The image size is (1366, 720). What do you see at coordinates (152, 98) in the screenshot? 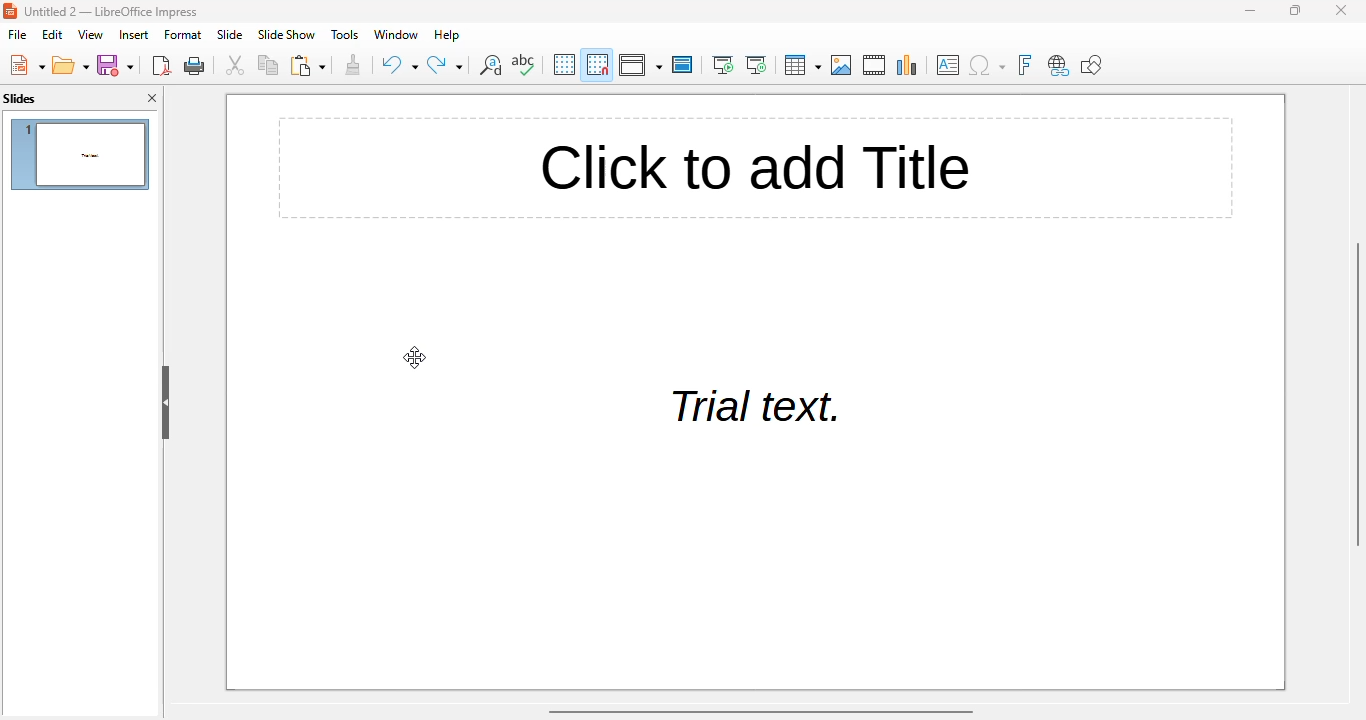
I see `close pane` at bounding box center [152, 98].